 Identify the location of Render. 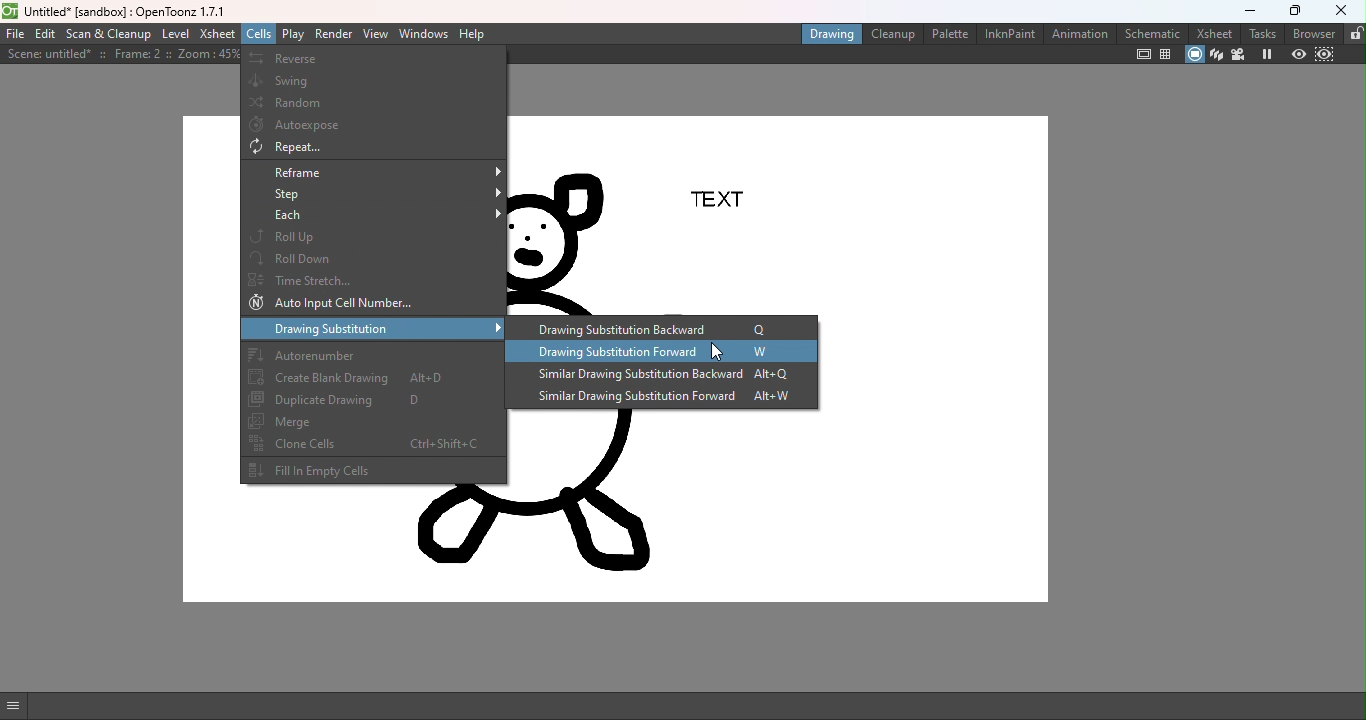
(336, 35).